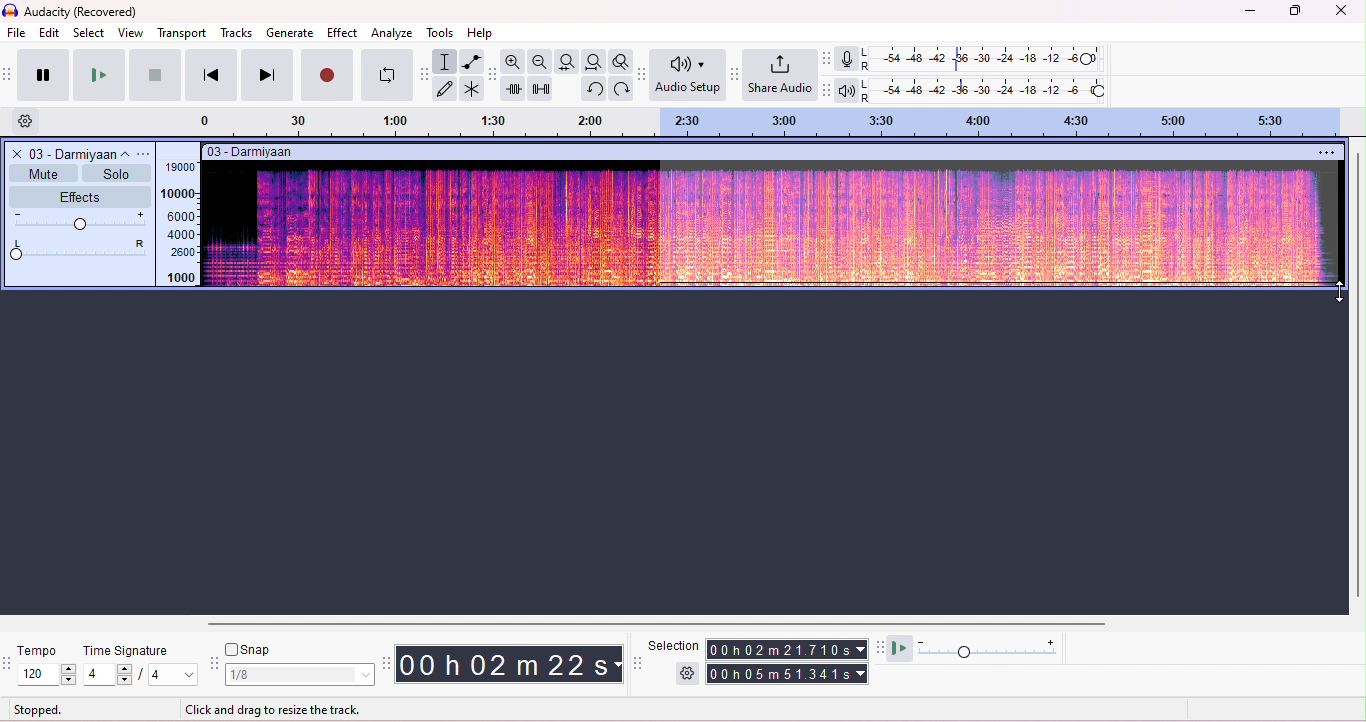 The width and height of the screenshot is (1366, 722). Describe the element at coordinates (828, 90) in the screenshot. I see `playback meter tool bar` at that location.